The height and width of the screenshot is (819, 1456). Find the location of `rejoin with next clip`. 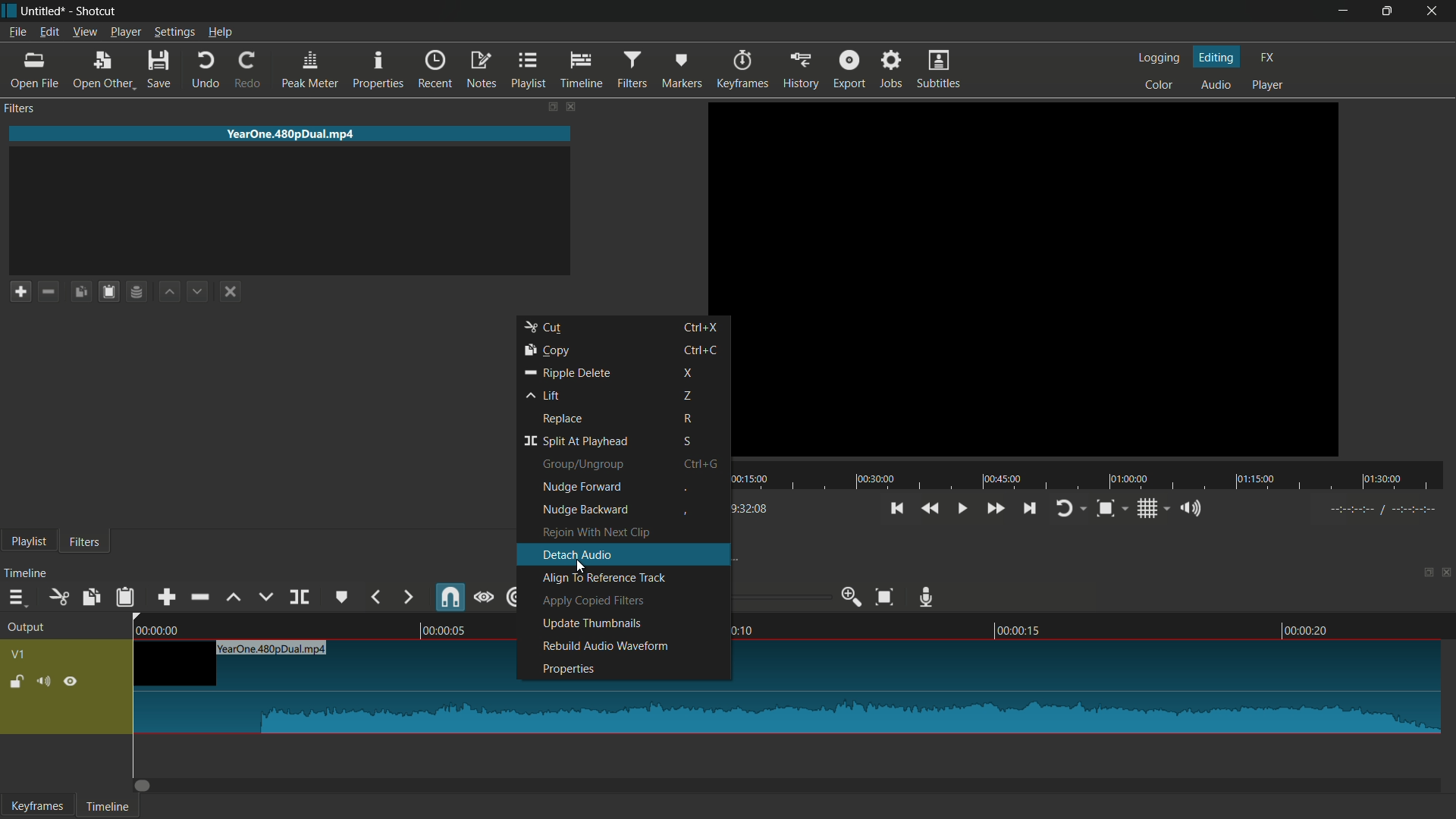

rejoin with next clip is located at coordinates (594, 533).